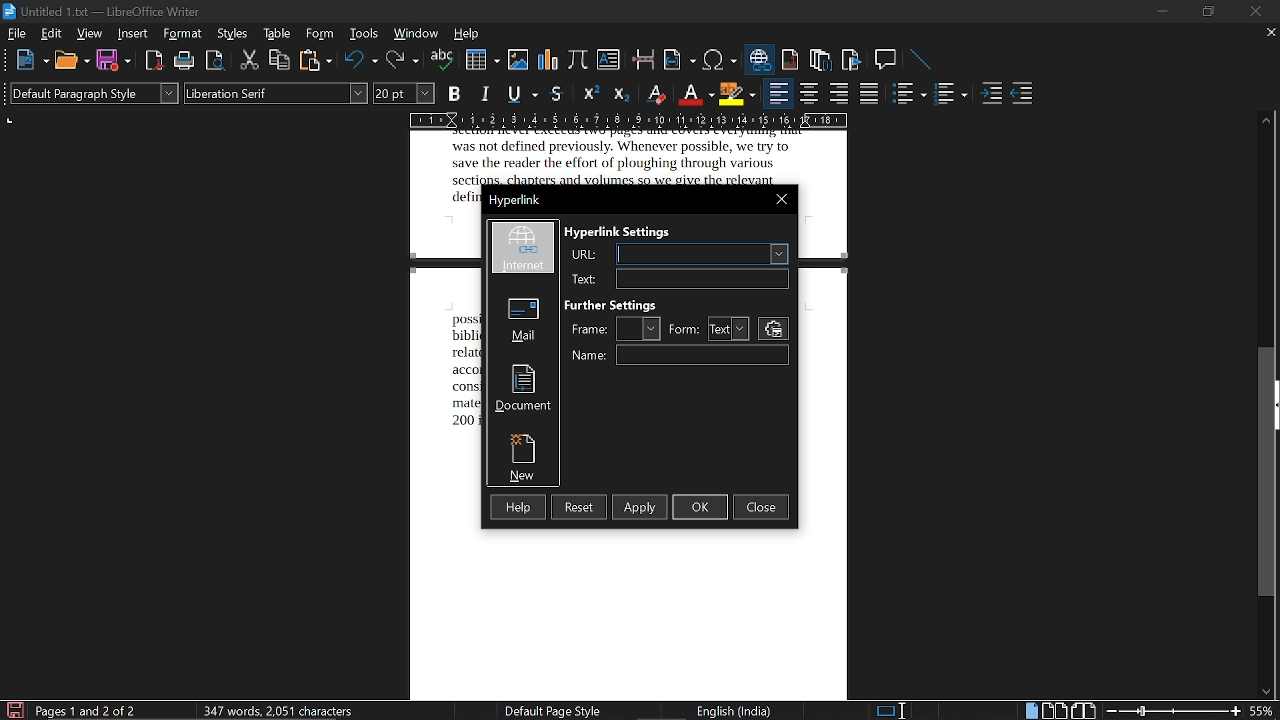 This screenshot has height=720, width=1280. I want to click on current language, so click(732, 711).